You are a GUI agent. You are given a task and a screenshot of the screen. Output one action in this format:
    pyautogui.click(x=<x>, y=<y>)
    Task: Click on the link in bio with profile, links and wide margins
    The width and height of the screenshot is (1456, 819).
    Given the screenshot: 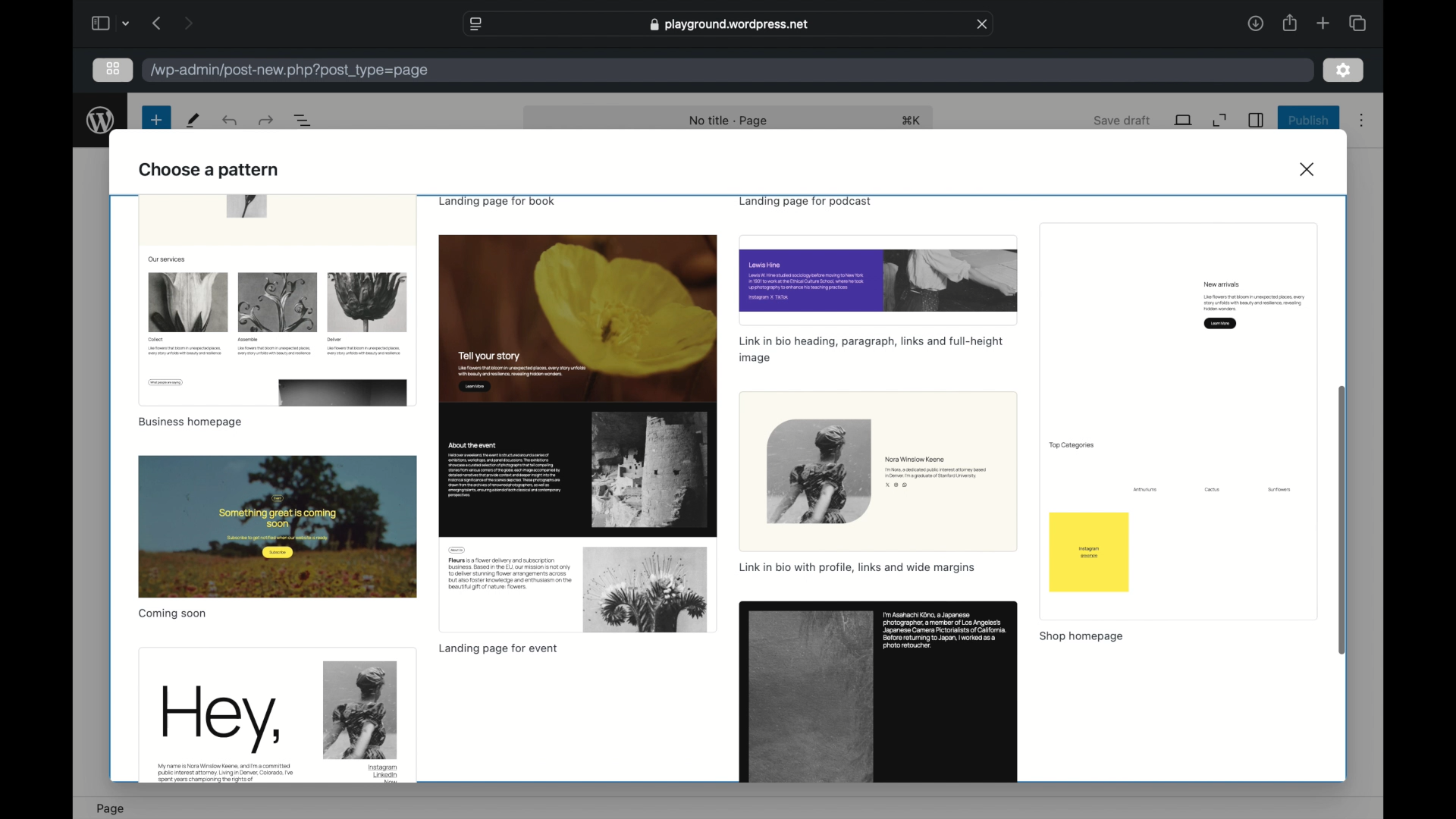 What is the action you would take?
    pyautogui.click(x=858, y=569)
    